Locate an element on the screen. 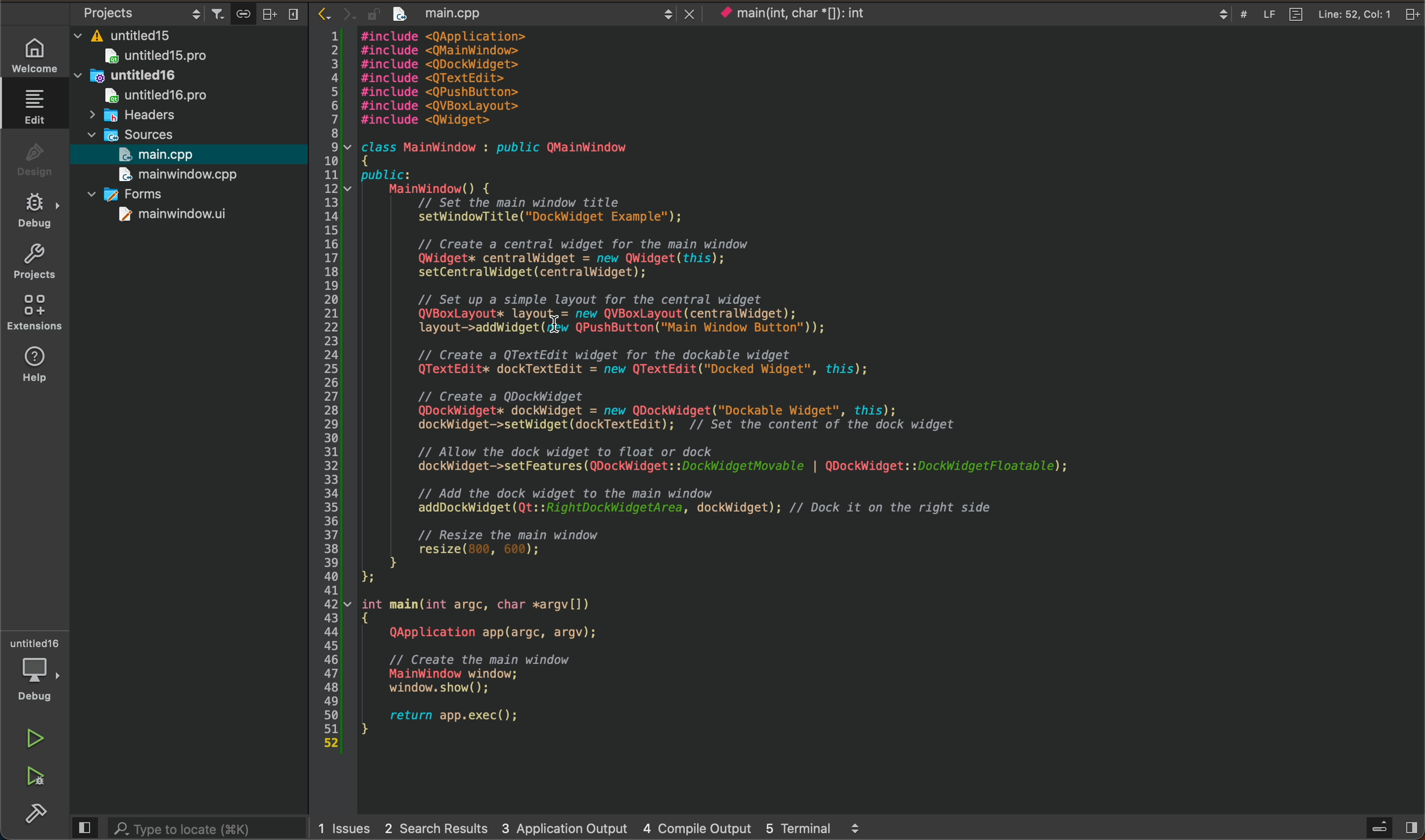 Image resolution: width=1425 pixels, height=840 pixels. cursor is located at coordinates (557, 322).